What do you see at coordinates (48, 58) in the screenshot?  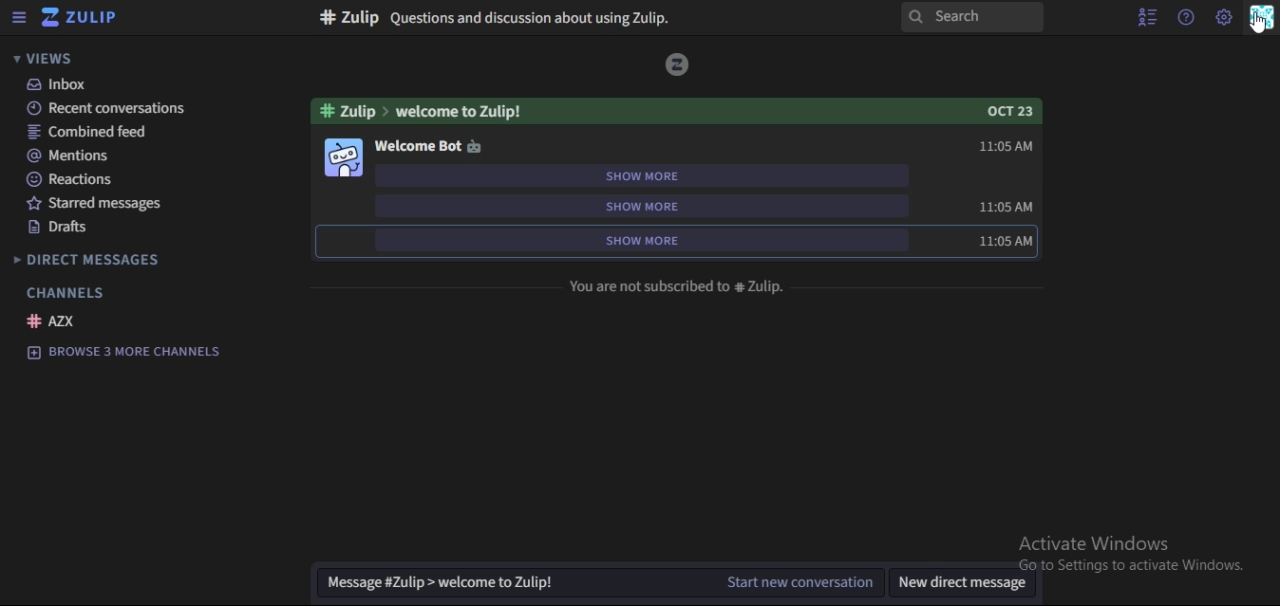 I see `views` at bounding box center [48, 58].